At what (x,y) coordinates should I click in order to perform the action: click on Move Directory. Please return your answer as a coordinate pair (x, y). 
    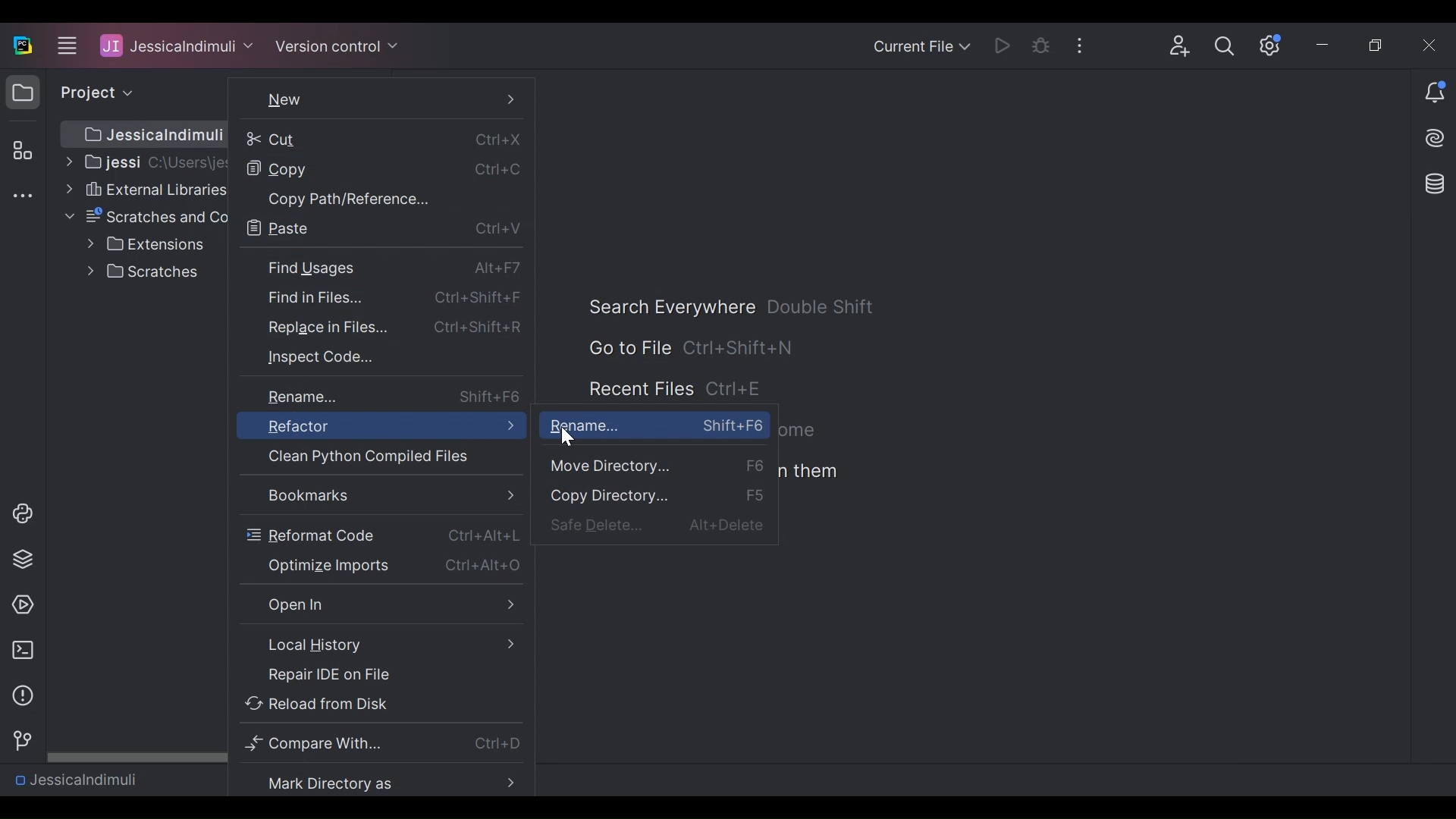
    Looking at the image, I should click on (654, 468).